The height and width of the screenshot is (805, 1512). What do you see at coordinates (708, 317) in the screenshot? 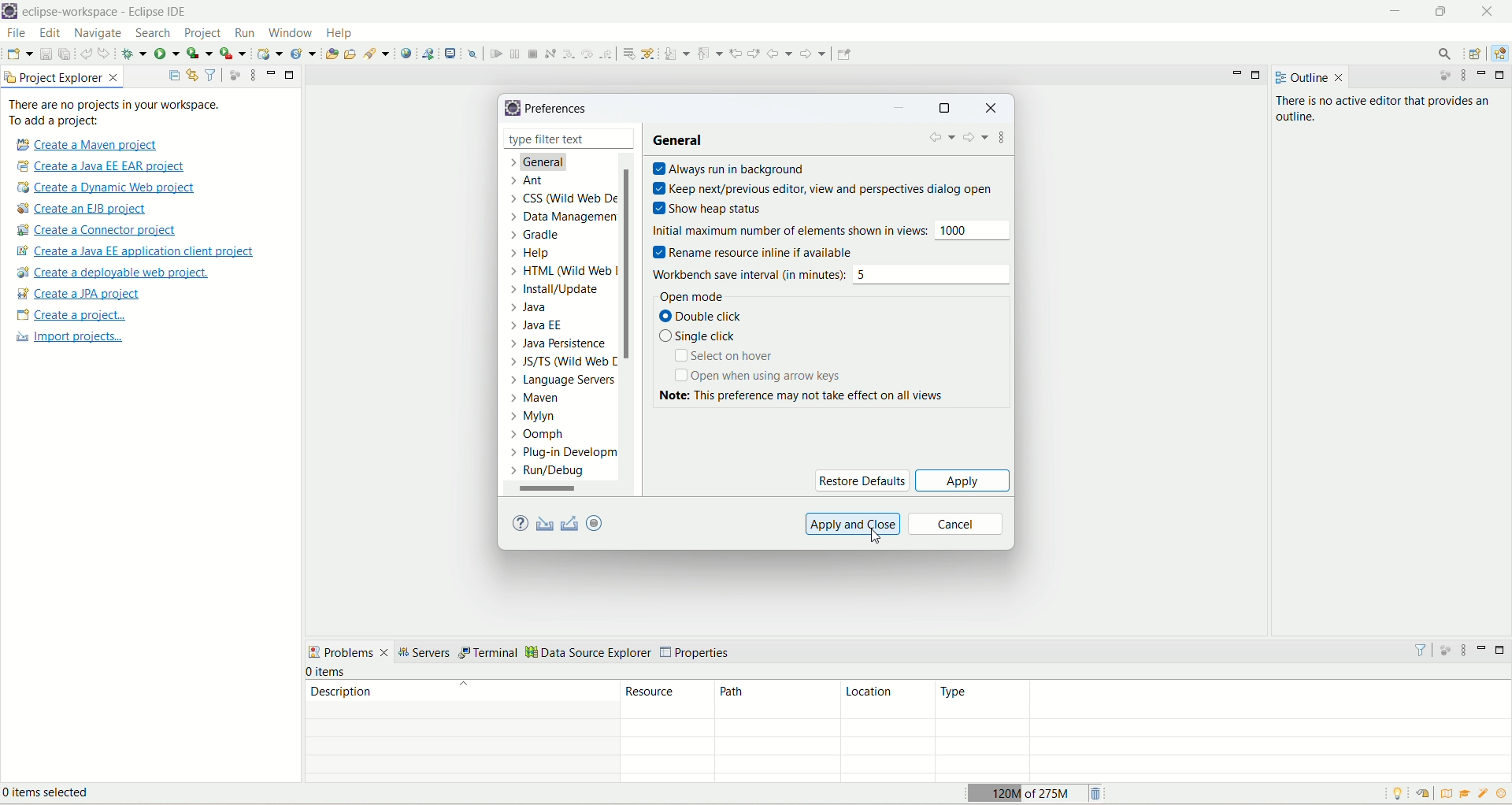
I see `double click` at bounding box center [708, 317].